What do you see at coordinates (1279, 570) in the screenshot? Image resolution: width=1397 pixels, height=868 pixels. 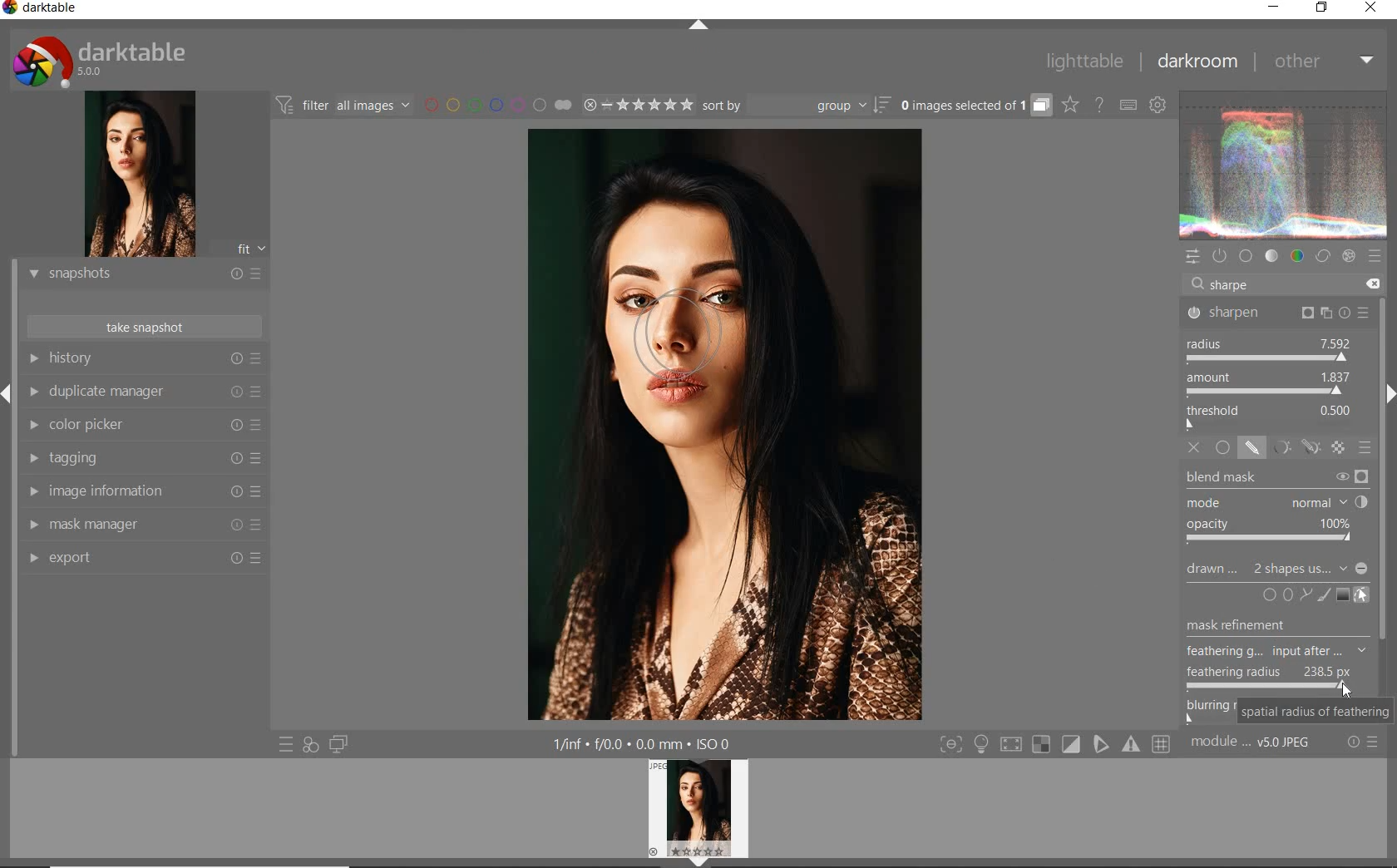 I see `DRAWN MASK` at bounding box center [1279, 570].